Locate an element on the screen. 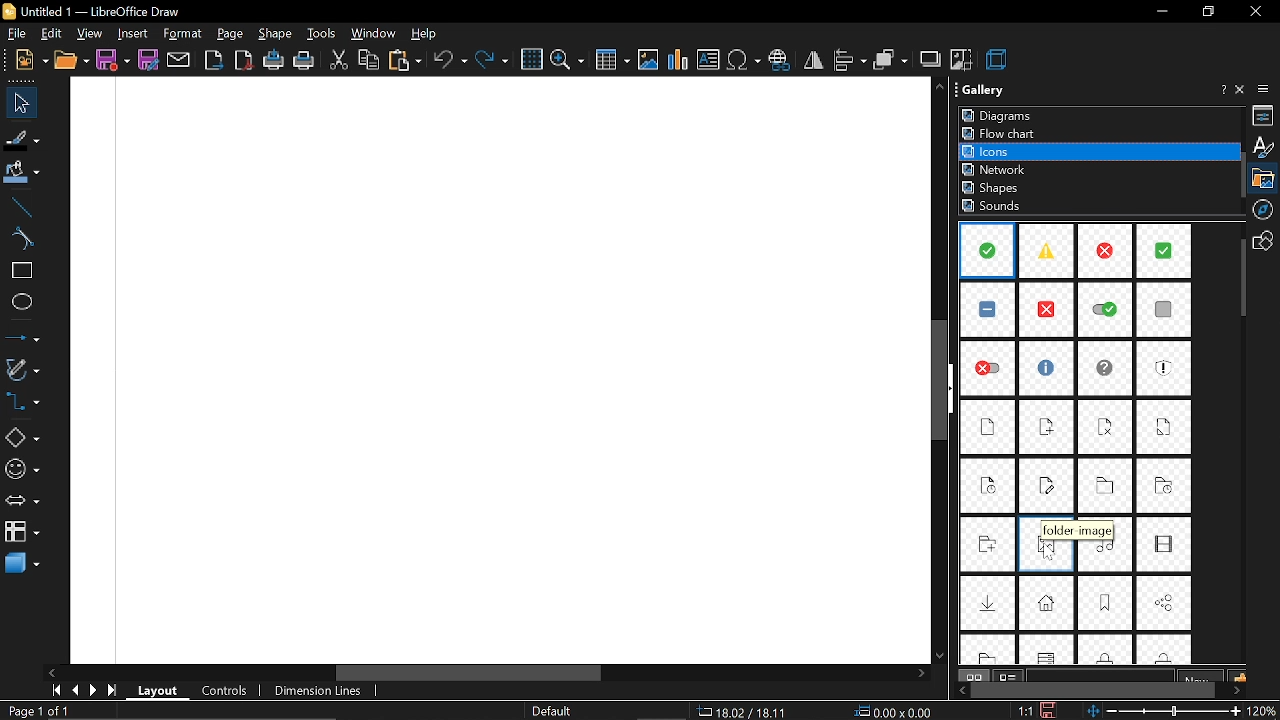 Image resolution: width=1280 pixels, height=720 pixels. print directly is located at coordinates (273, 61).